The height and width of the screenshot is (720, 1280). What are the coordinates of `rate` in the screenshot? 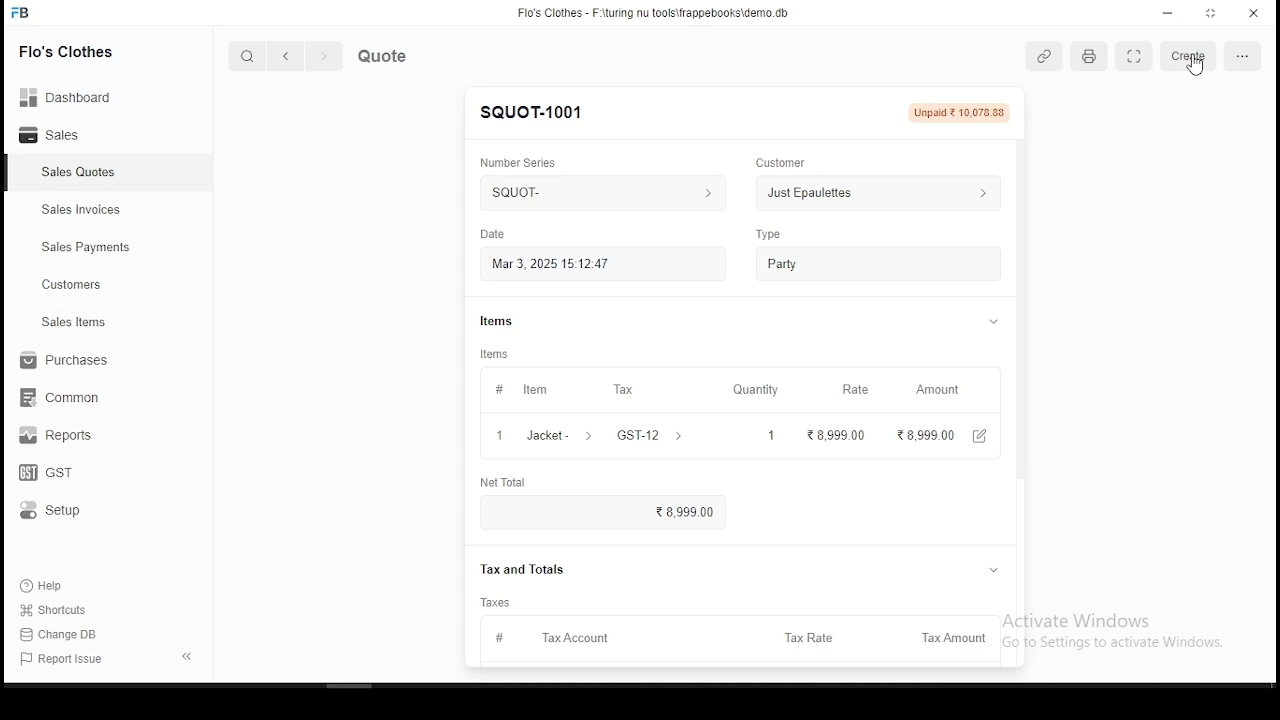 It's located at (855, 390).